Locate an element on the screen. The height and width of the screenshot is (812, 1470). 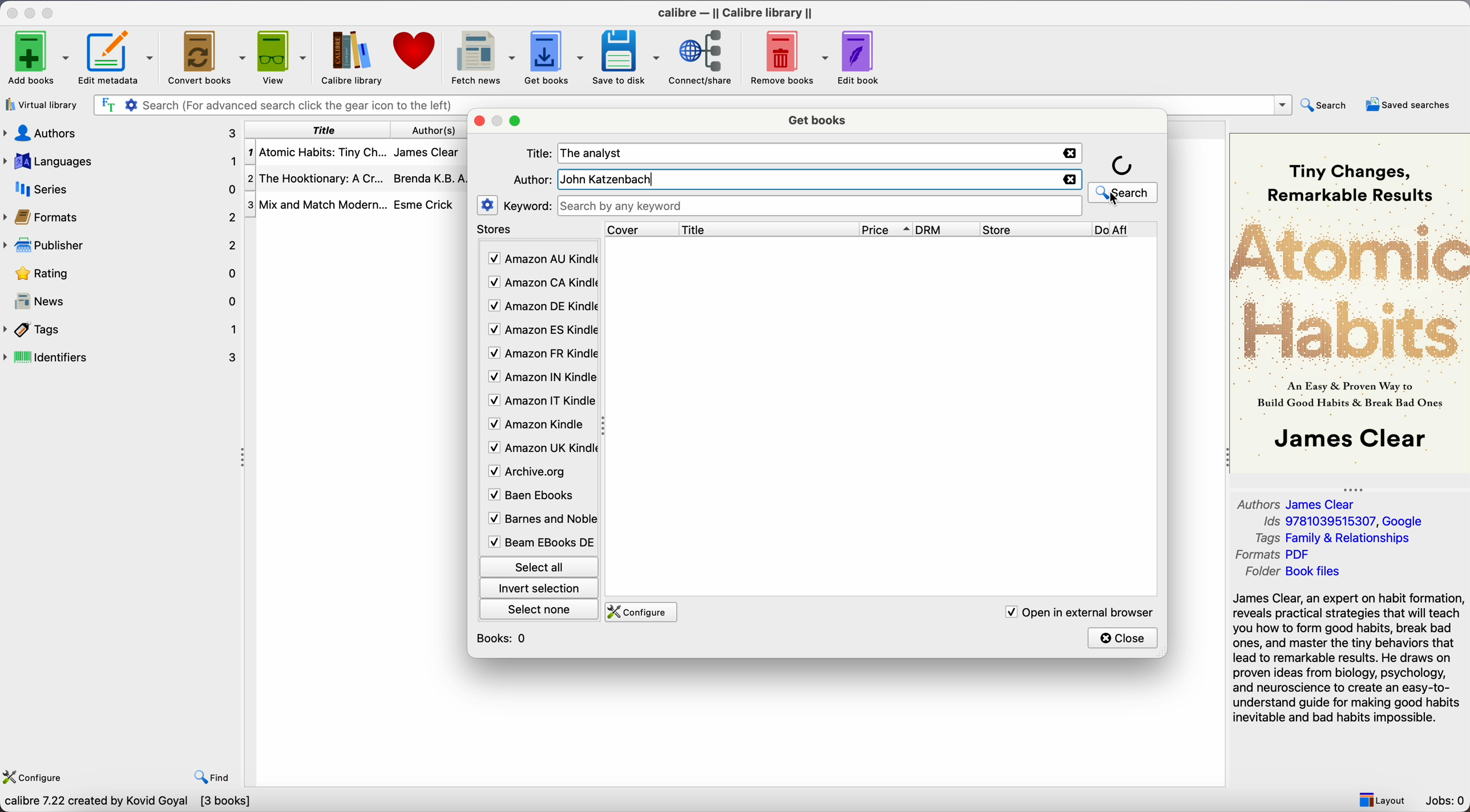
loading icon is located at coordinates (1122, 164).